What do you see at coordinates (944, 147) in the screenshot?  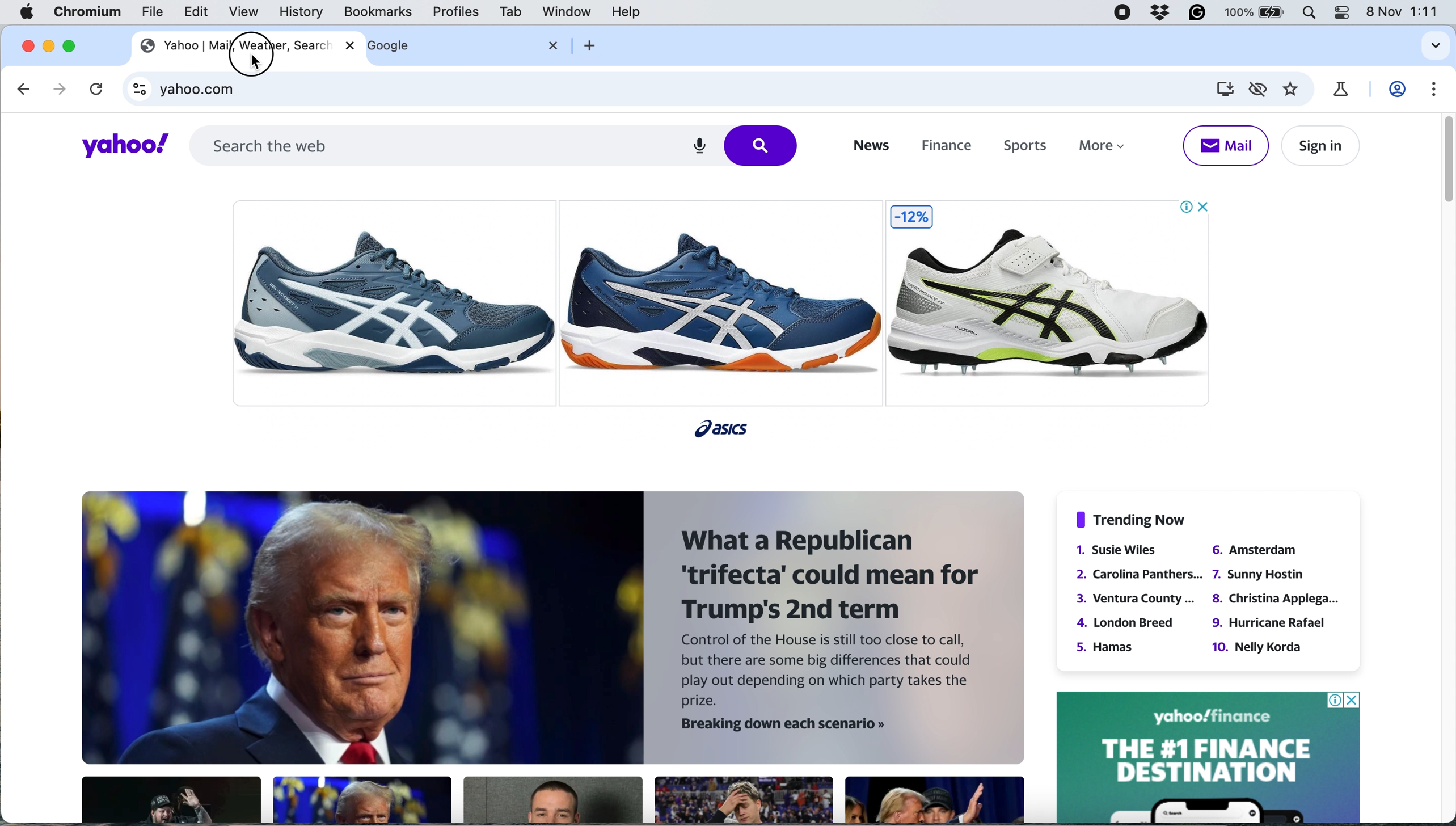 I see `finance` at bounding box center [944, 147].